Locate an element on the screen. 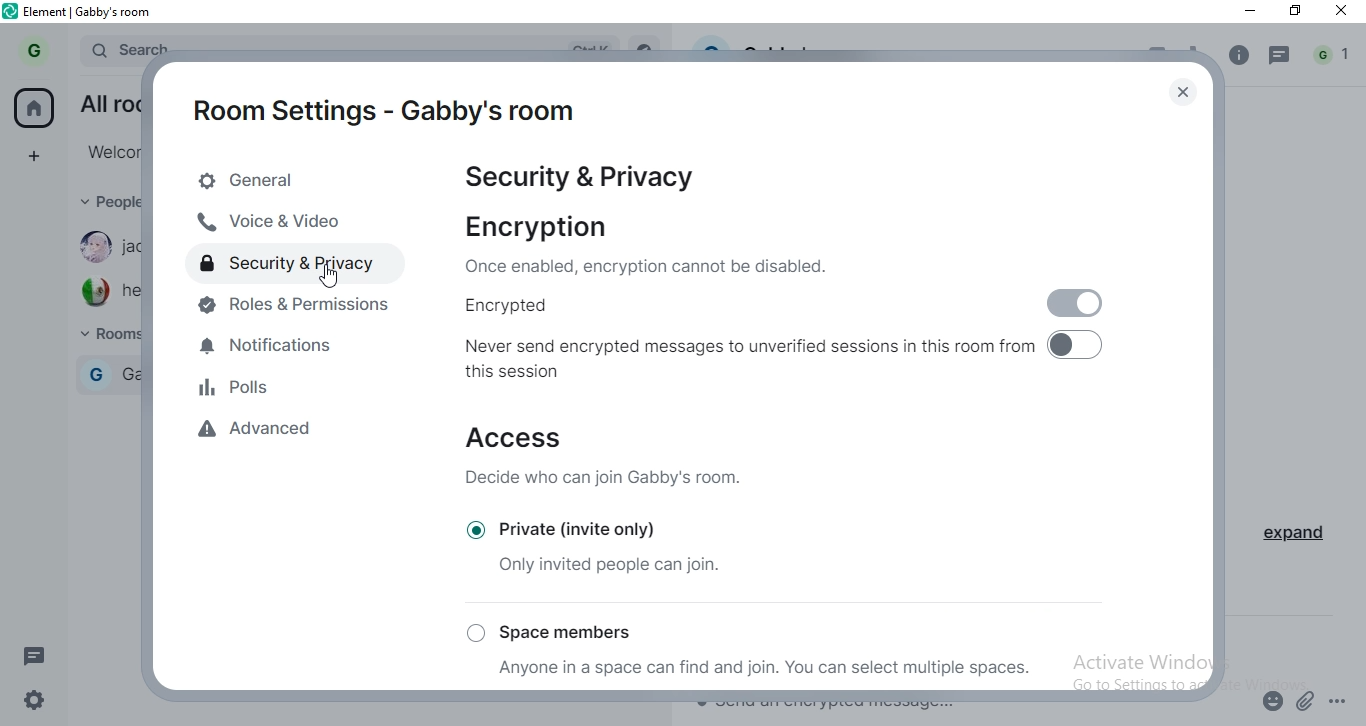  all rooms is located at coordinates (108, 101).